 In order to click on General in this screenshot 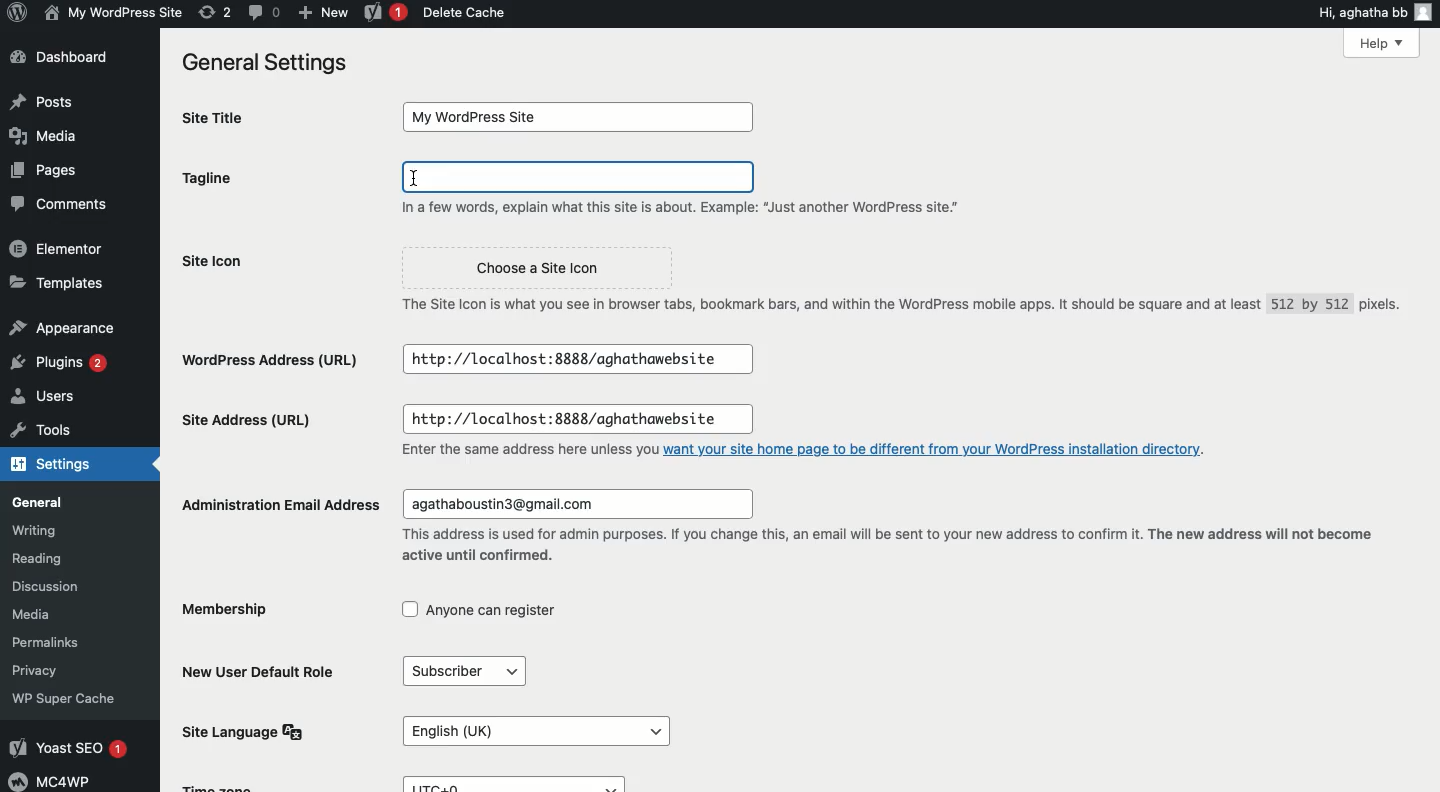, I will do `click(65, 502)`.